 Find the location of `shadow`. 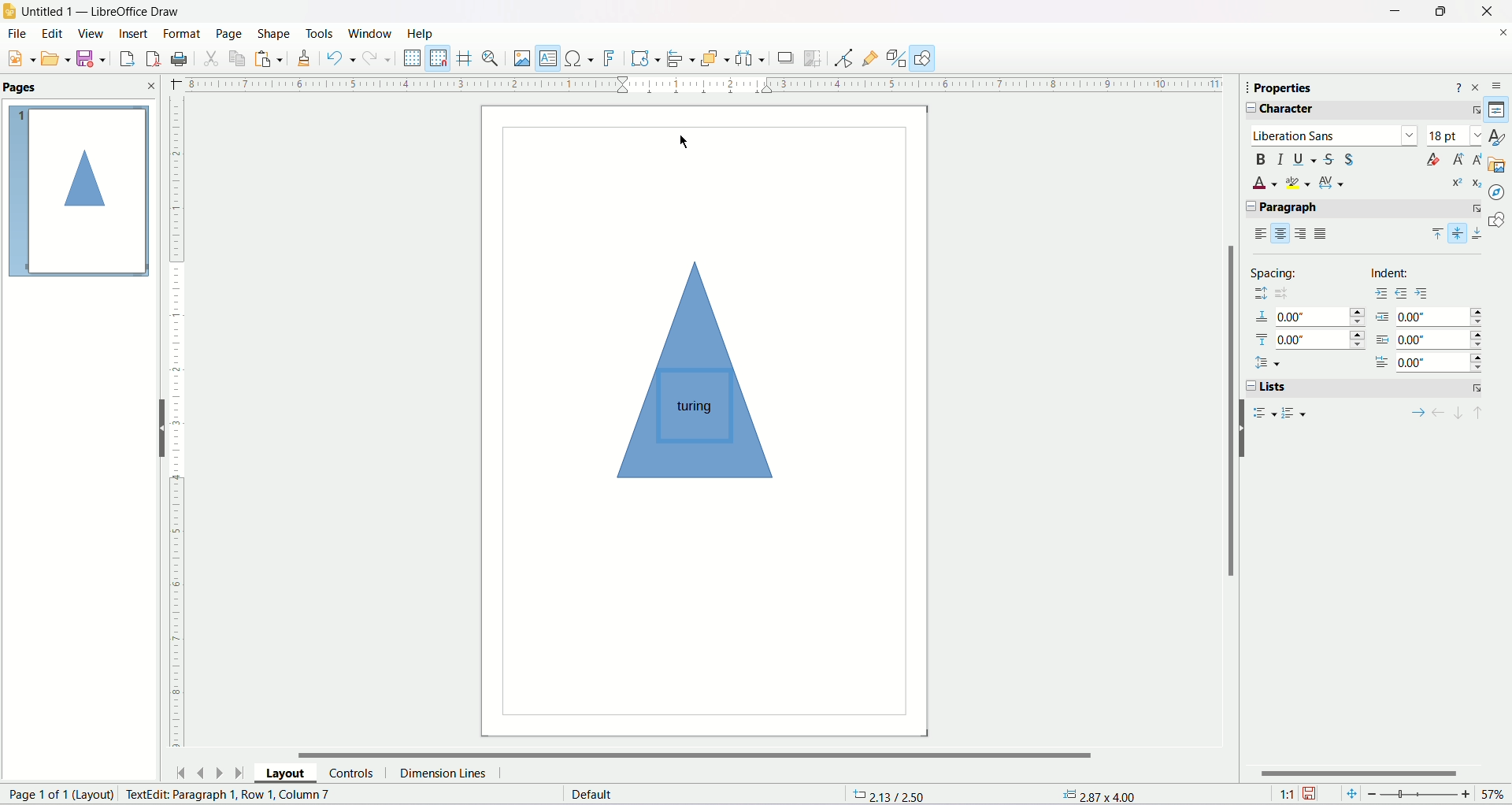

shadow is located at coordinates (1352, 161).